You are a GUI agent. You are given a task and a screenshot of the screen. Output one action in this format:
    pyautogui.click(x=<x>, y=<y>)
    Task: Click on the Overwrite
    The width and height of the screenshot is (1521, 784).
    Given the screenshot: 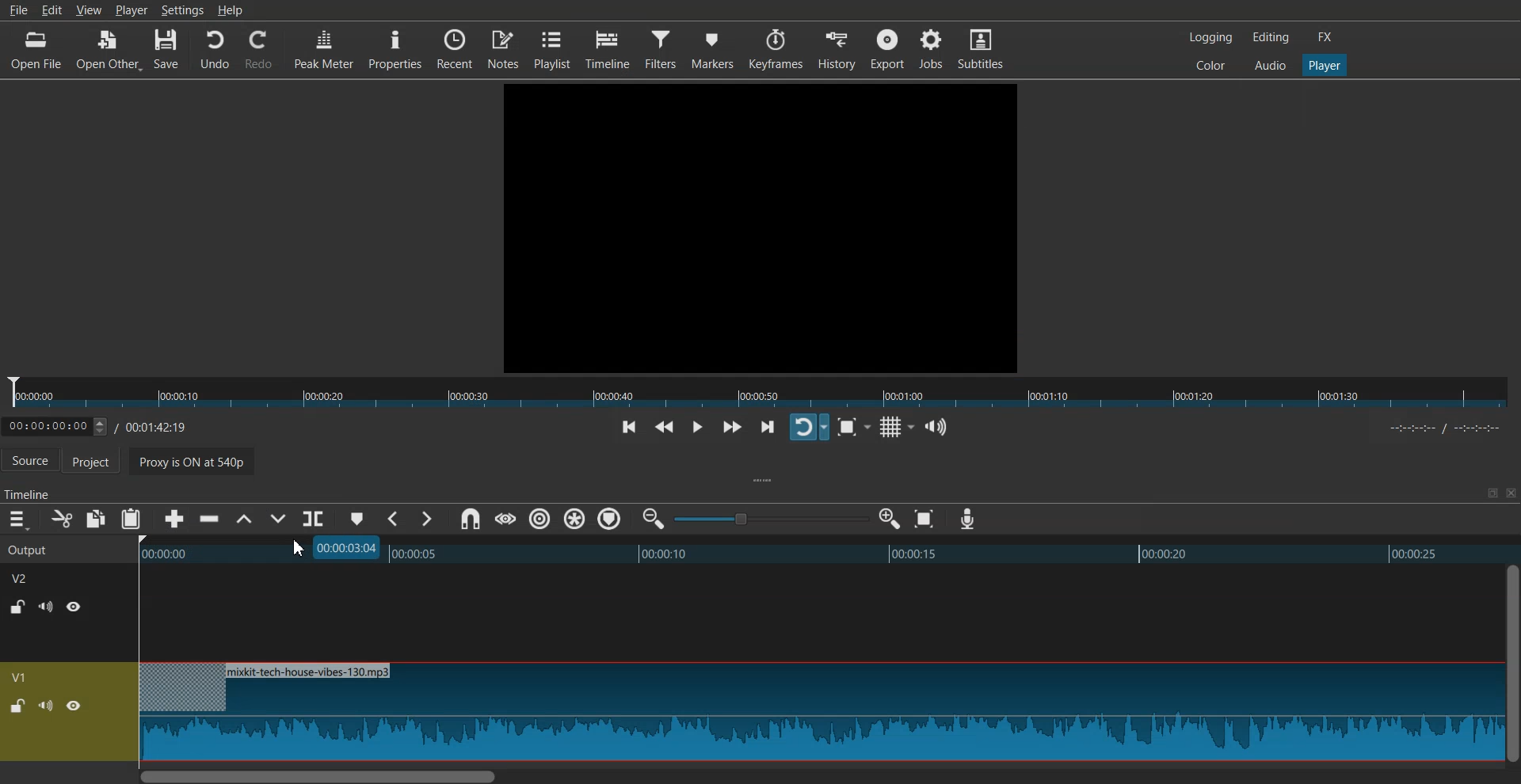 What is the action you would take?
    pyautogui.click(x=277, y=519)
    